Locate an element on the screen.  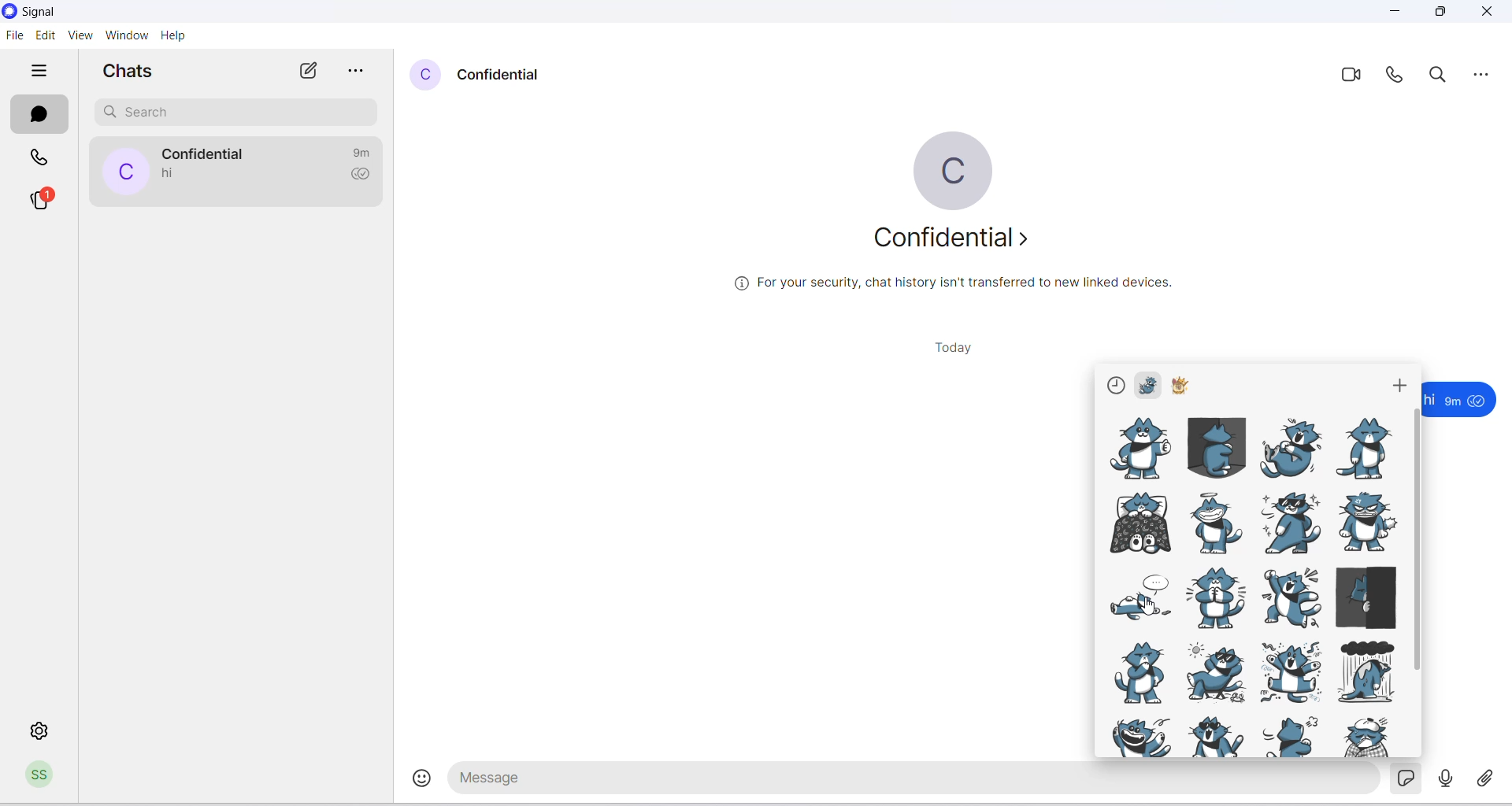
sticker is located at coordinates (1410, 780).